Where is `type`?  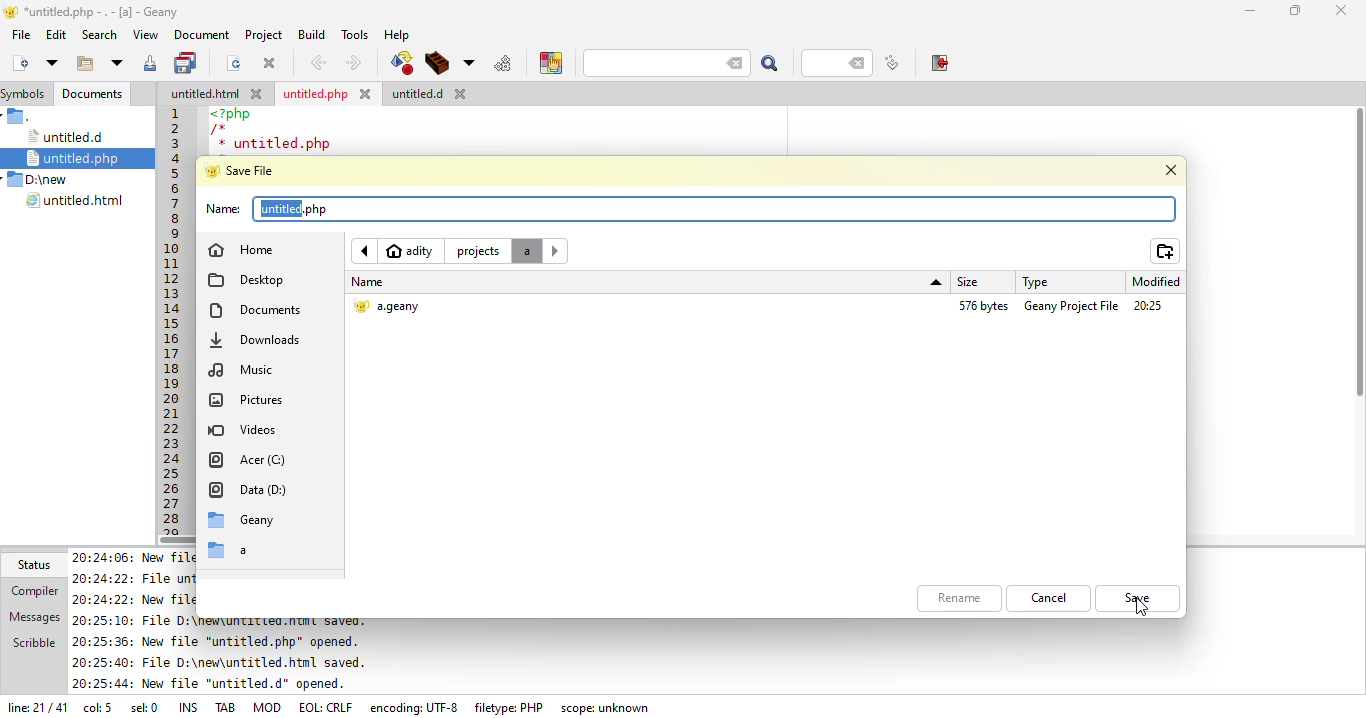 type is located at coordinates (1034, 282).